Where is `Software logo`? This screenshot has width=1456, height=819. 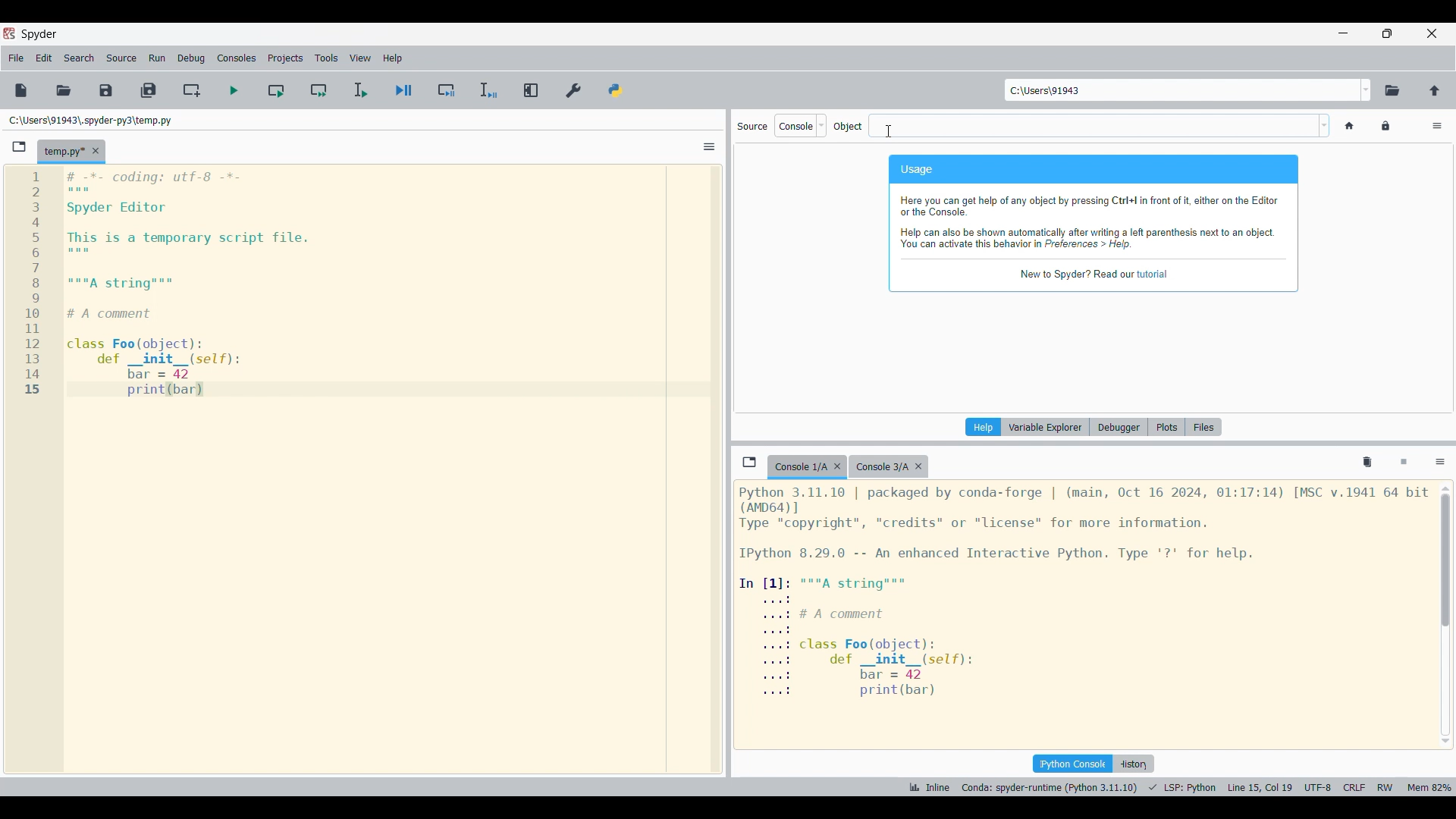
Software logo is located at coordinates (40, 34).